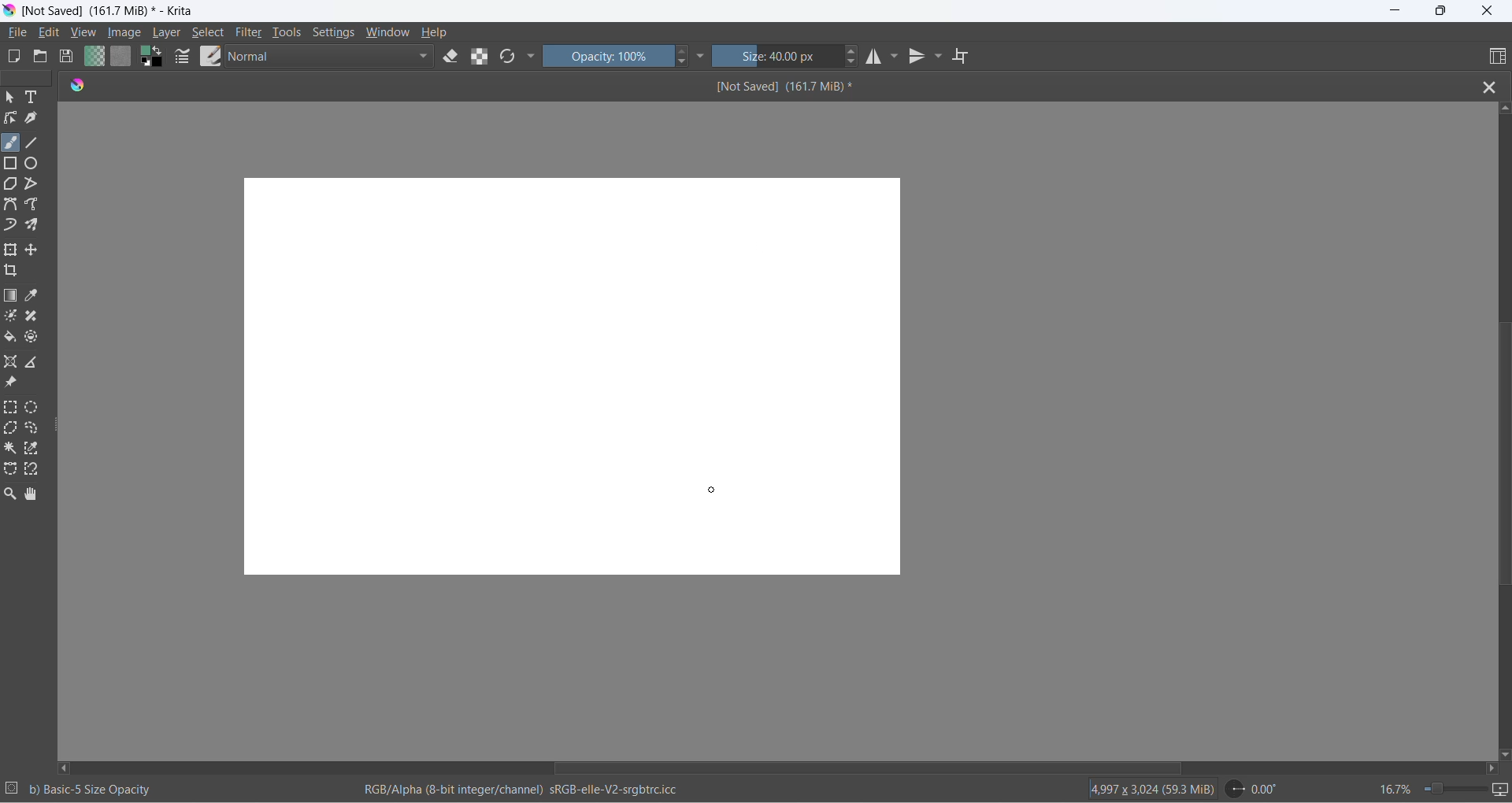 The width and height of the screenshot is (1512, 803). I want to click on brush settings, so click(183, 60).